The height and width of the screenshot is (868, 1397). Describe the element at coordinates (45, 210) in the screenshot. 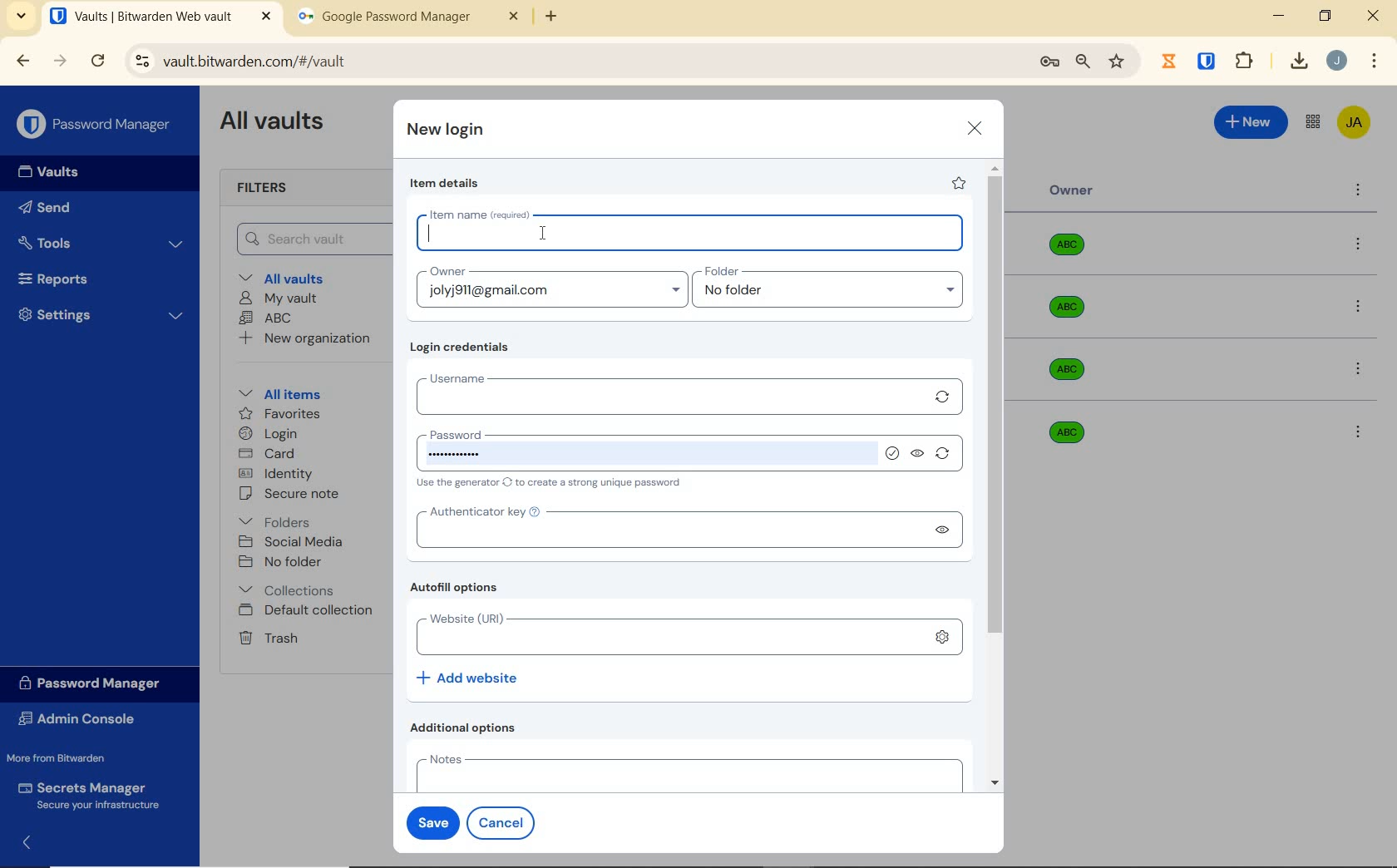

I see `Send` at that location.